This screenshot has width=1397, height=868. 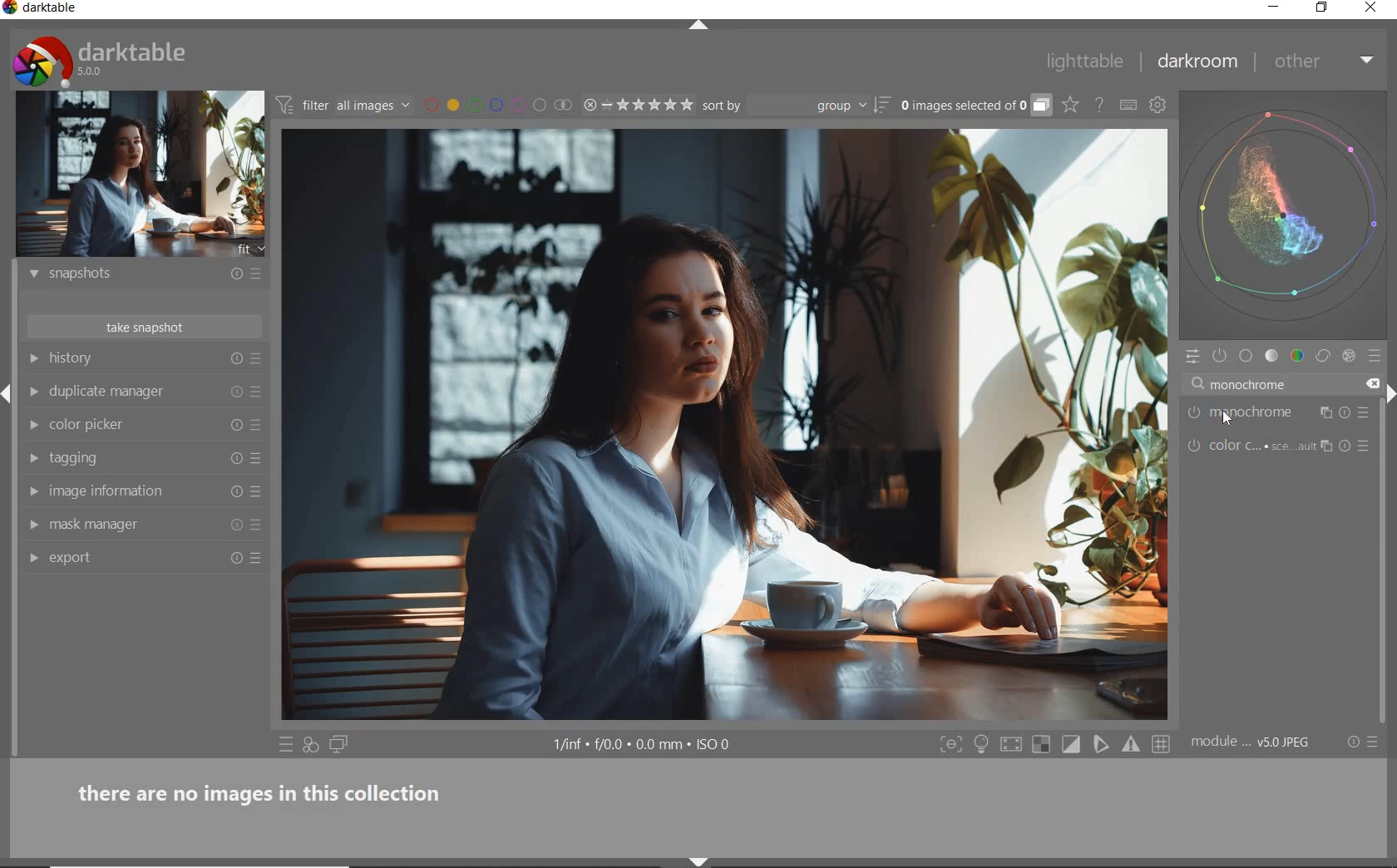 What do you see at coordinates (1221, 357) in the screenshot?
I see `show only active modules` at bounding box center [1221, 357].